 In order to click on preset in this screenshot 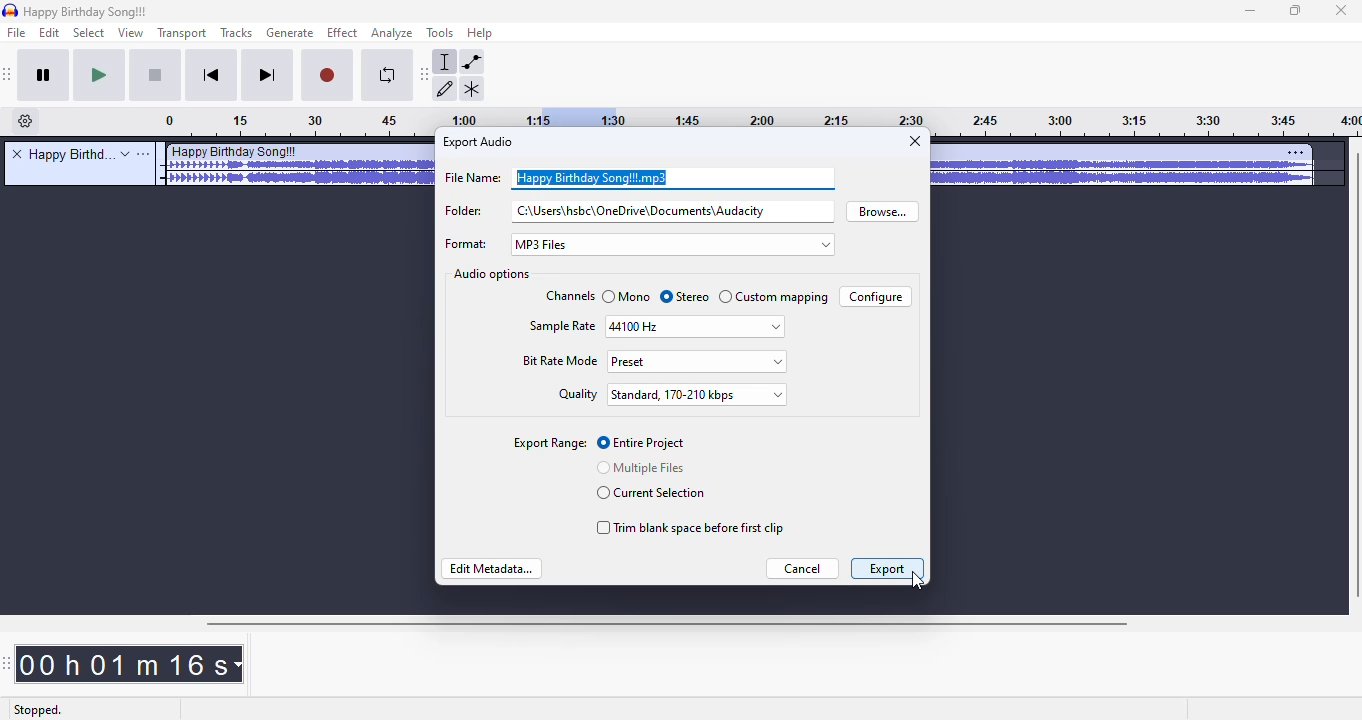, I will do `click(695, 362)`.